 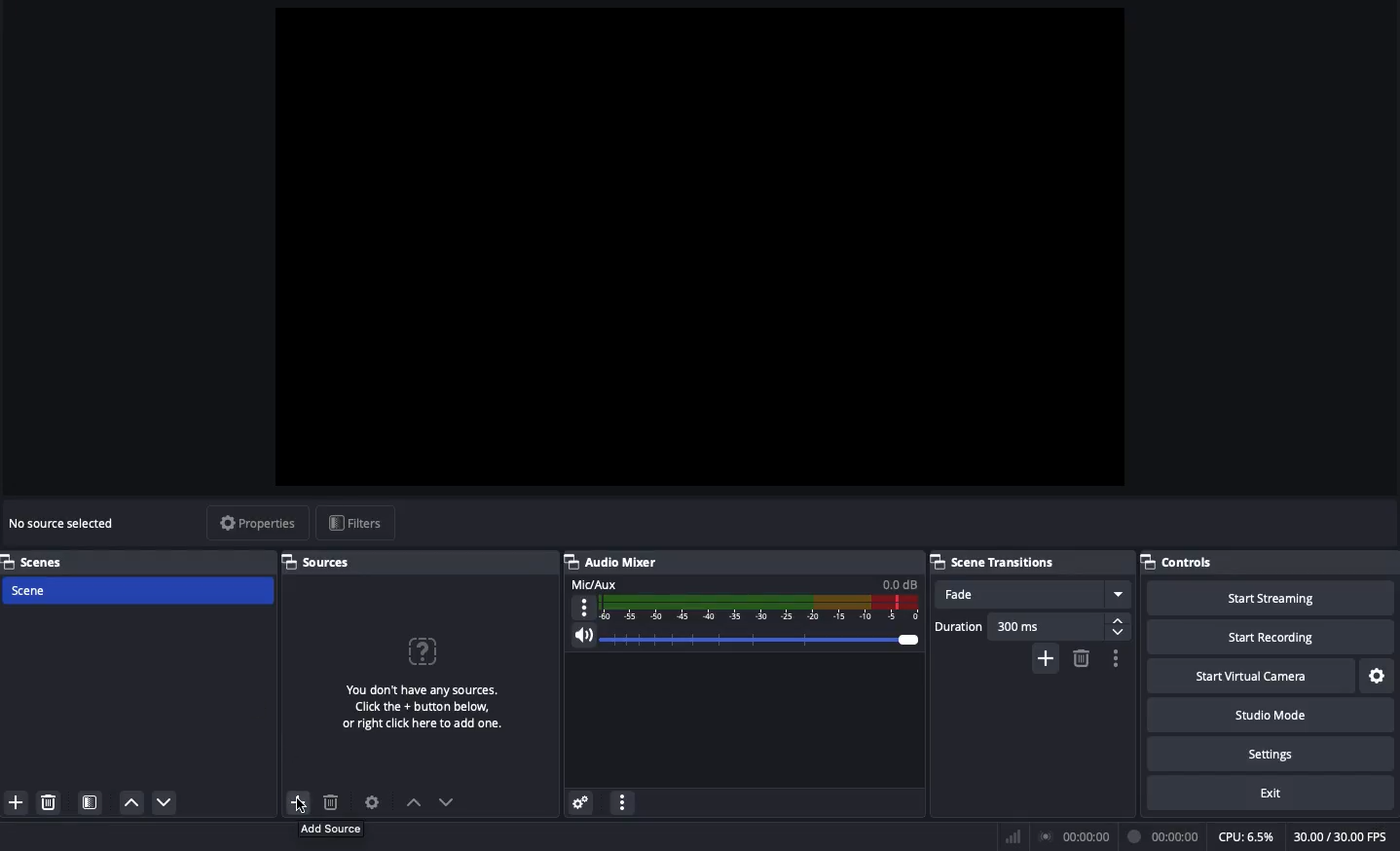 What do you see at coordinates (1179, 562) in the screenshot?
I see `Controls` at bounding box center [1179, 562].